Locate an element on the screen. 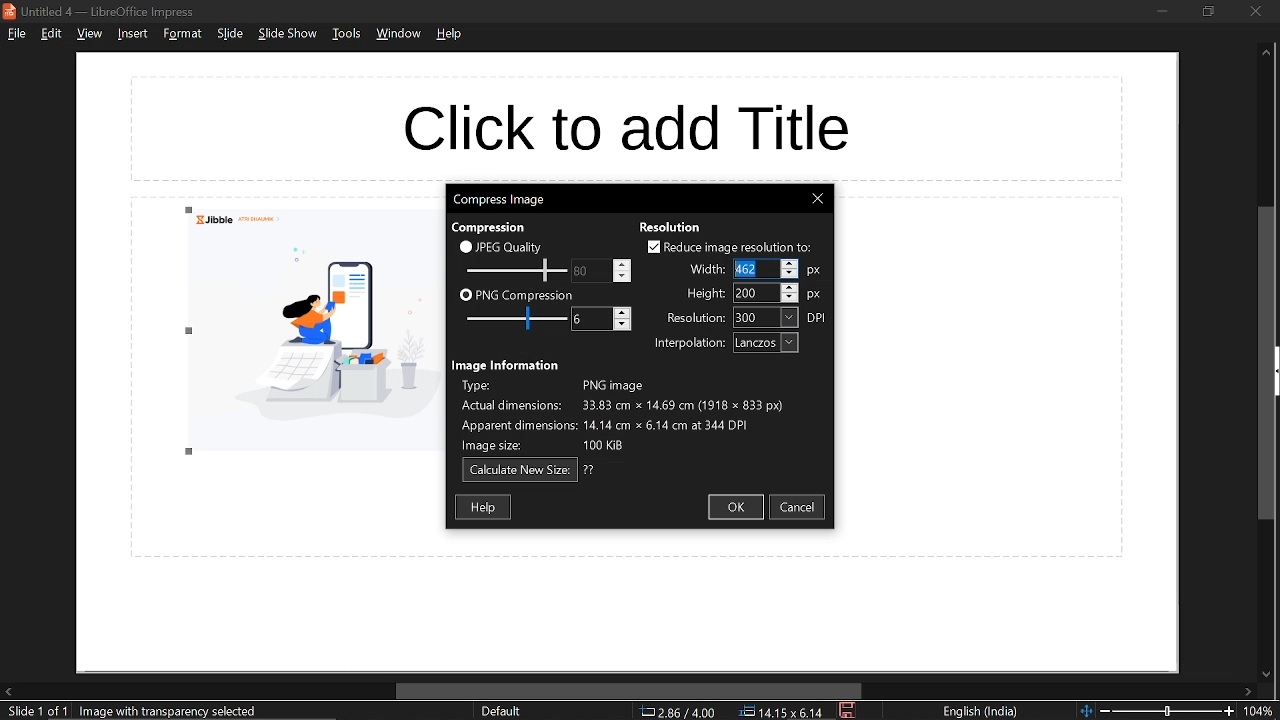 This screenshot has width=1280, height=720. move right is located at coordinates (1248, 693).